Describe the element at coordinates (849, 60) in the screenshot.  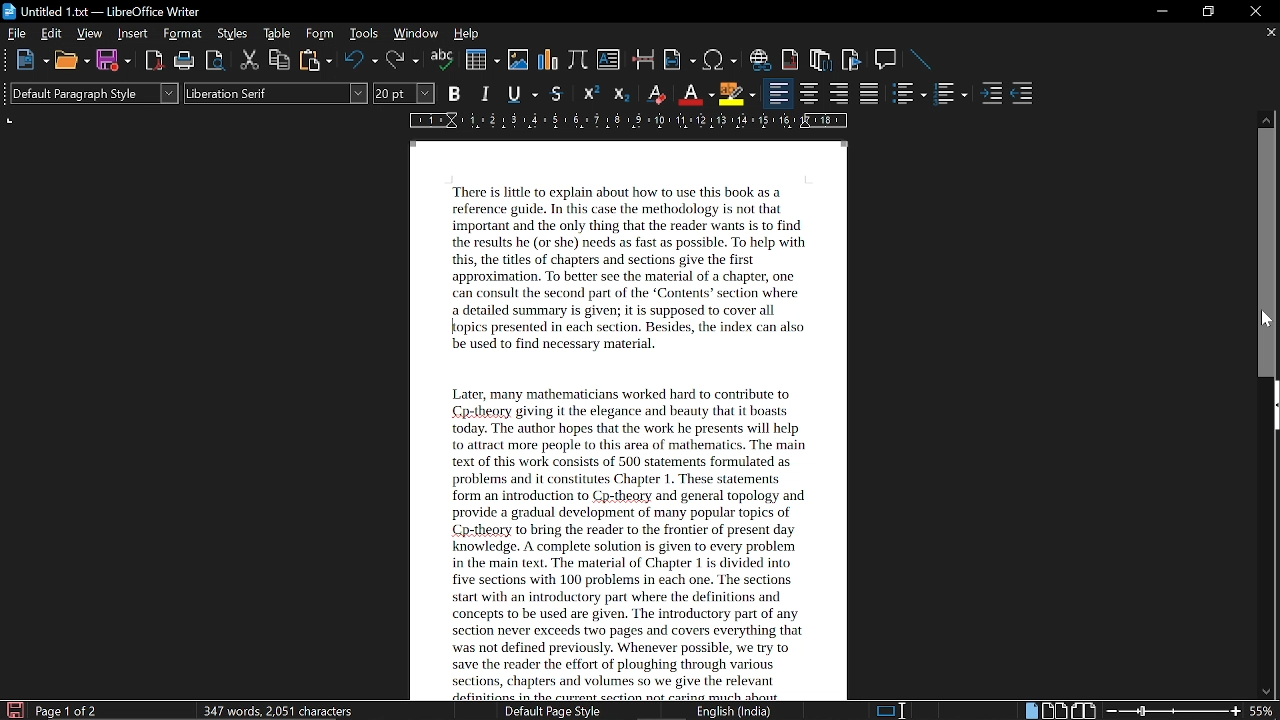
I see `insert bibliography` at that location.